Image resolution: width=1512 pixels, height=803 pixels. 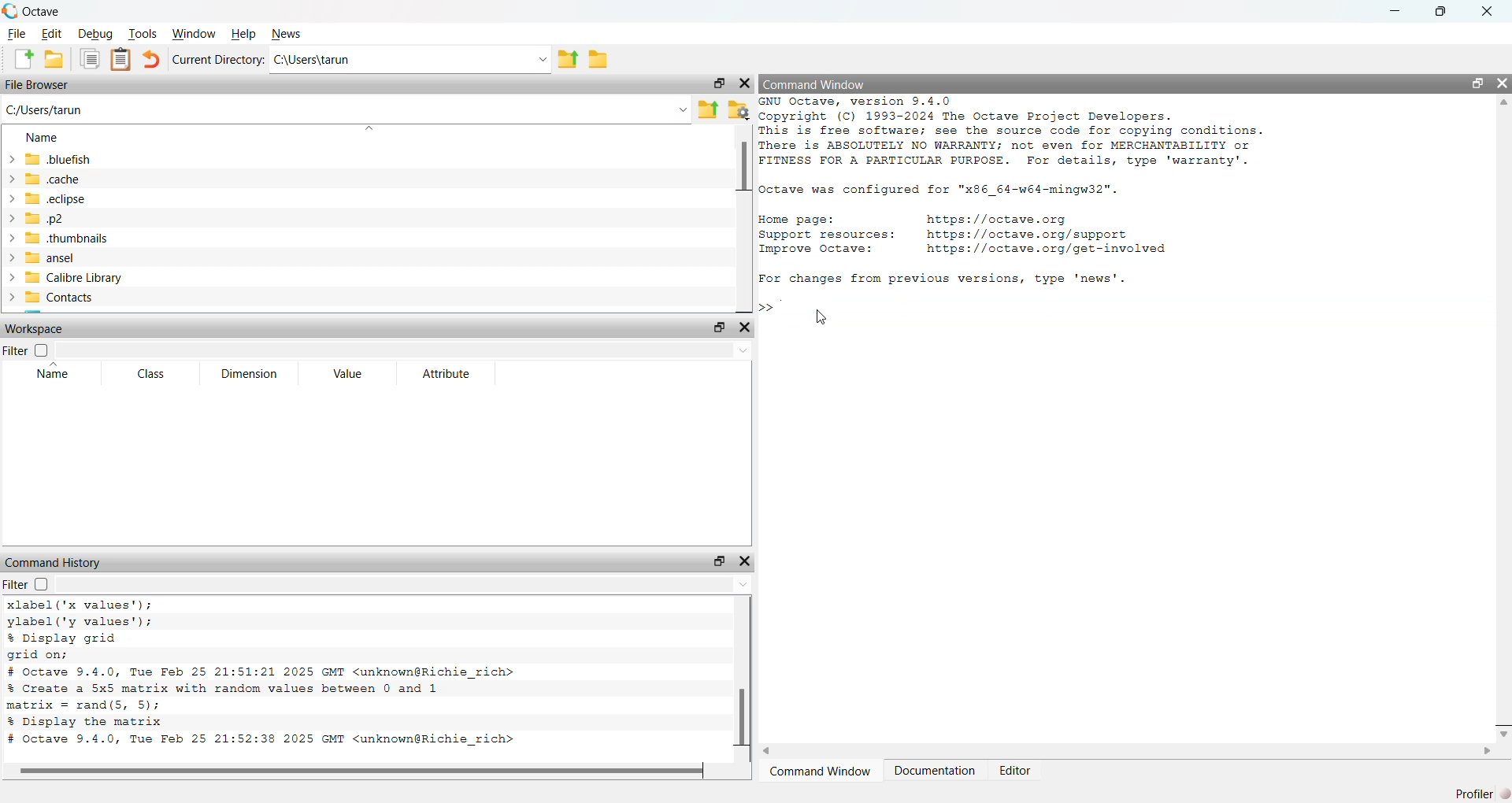 I want to click on Command History, so click(x=56, y=560).